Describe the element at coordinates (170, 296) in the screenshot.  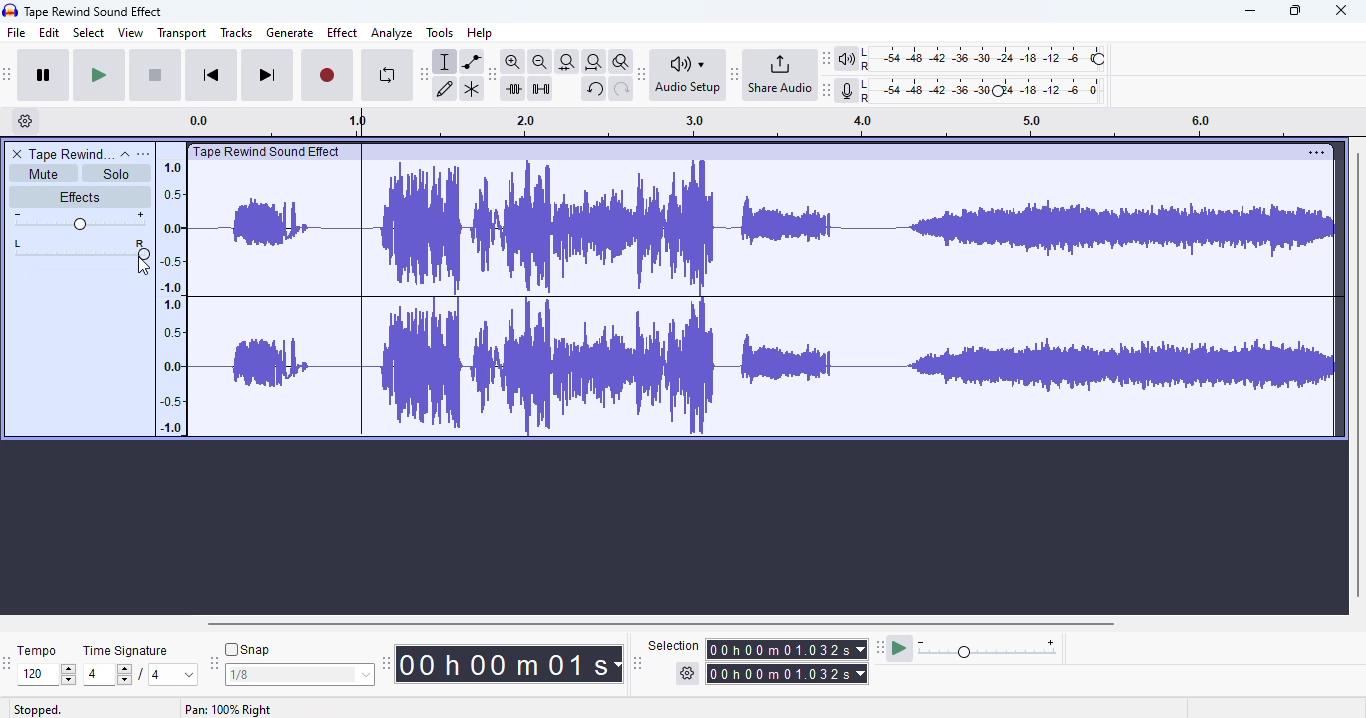
I see `timeline` at that location.